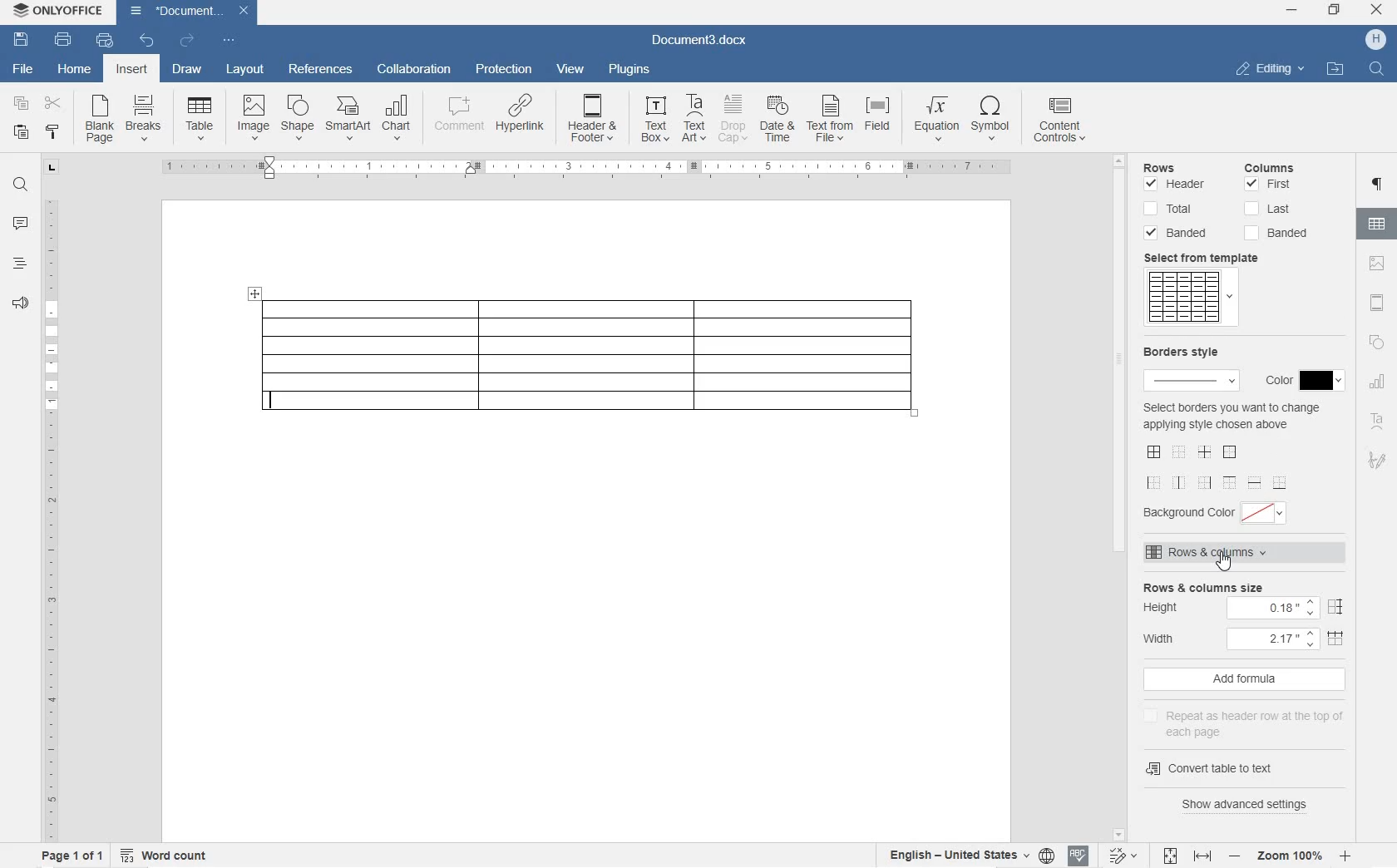 This screenshot has height=868, width=1397. Describe the element at coordinates (461, 116) in the screenshot. I see `COMMENT` at that location.